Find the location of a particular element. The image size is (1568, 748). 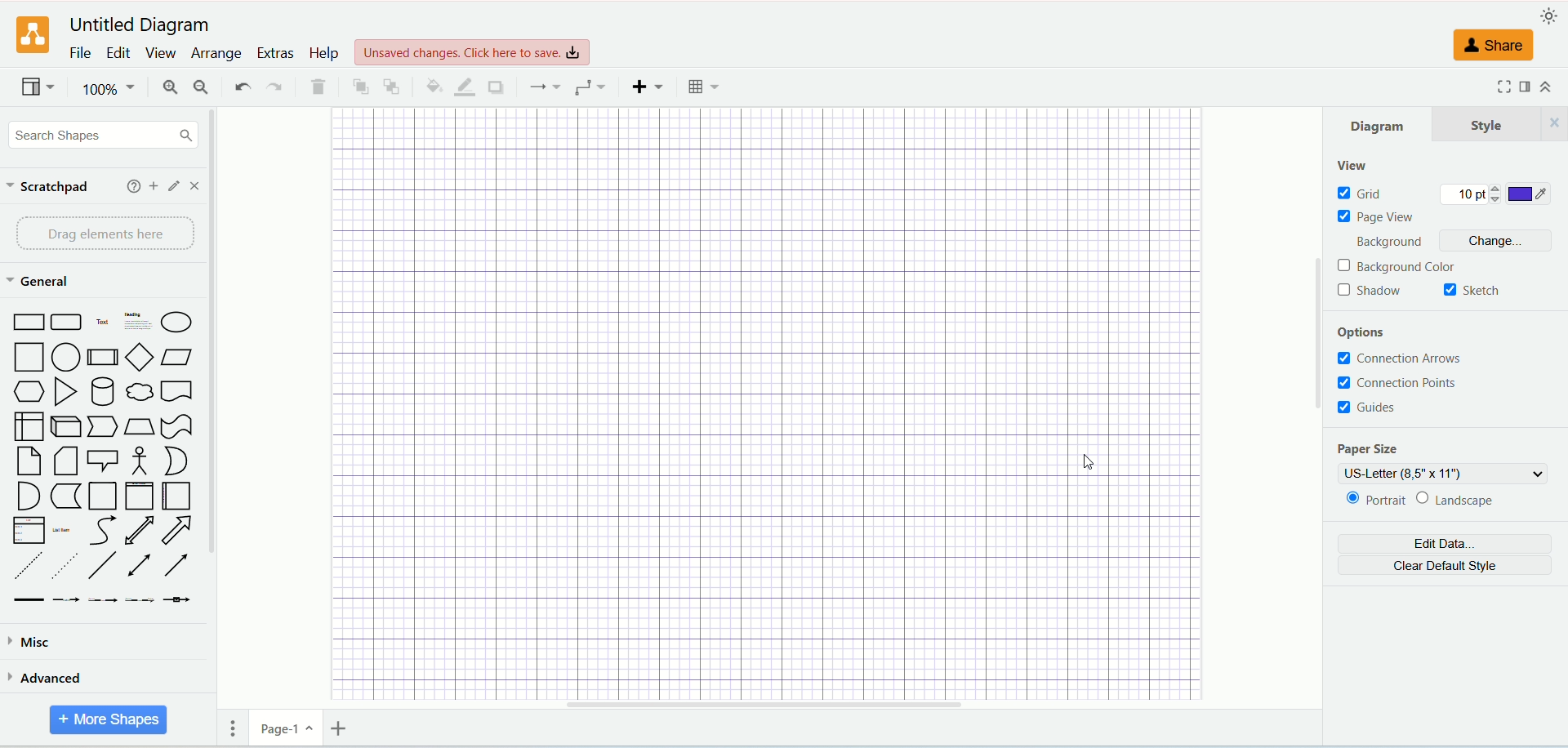

paper size is located at coordinates (1365, 448).